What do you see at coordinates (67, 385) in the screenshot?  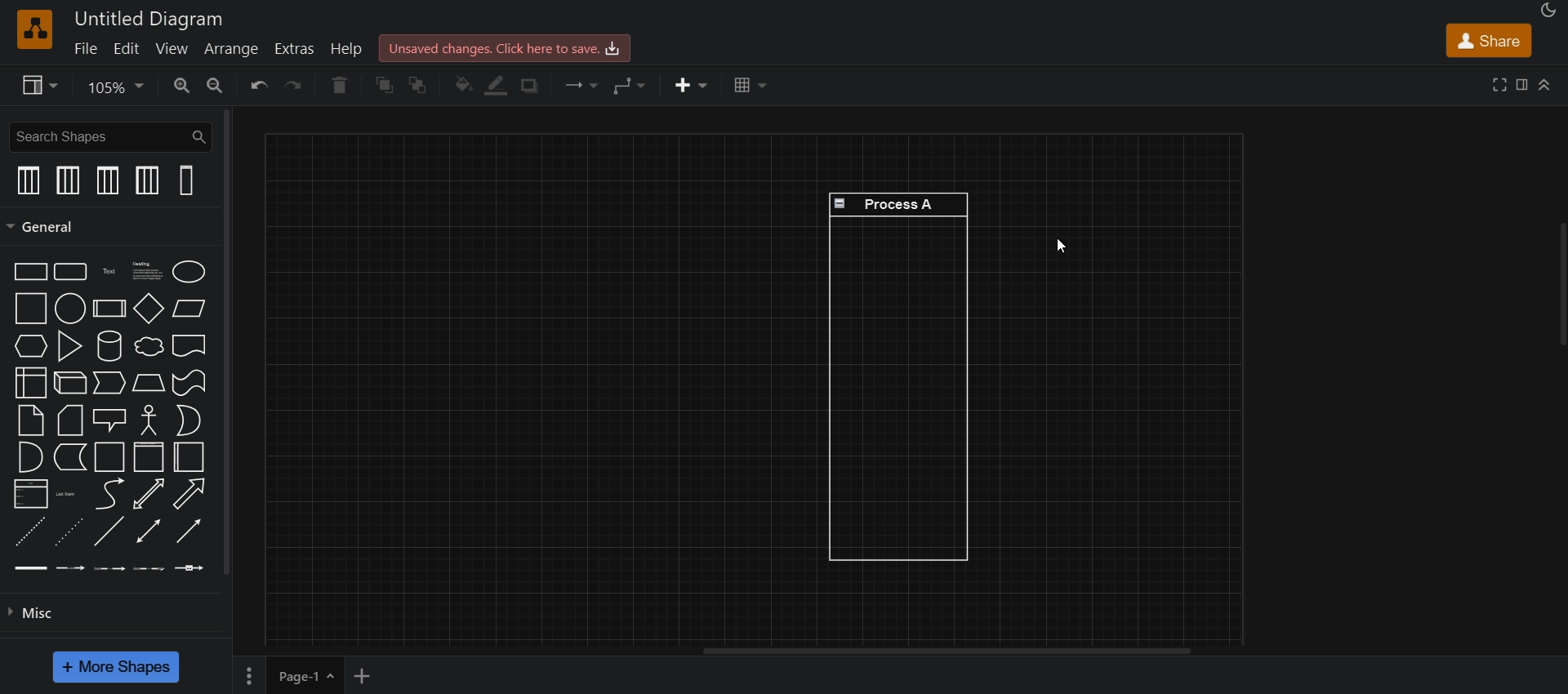 I see `cube` at bounding box center [67, 385].